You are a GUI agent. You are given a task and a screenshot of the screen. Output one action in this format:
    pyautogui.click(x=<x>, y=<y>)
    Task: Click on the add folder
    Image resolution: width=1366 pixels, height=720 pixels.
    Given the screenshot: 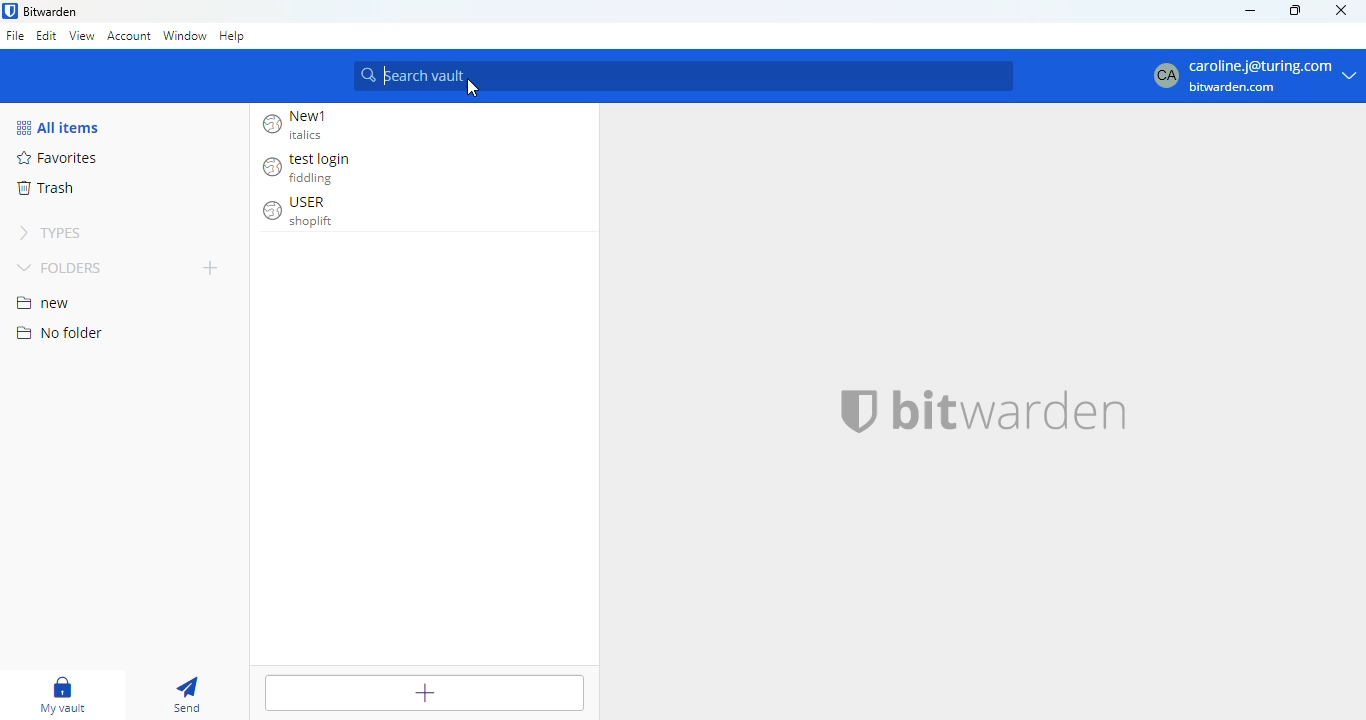 What is the action you would take?
    pyautogui.click(x=210, y=267)
    